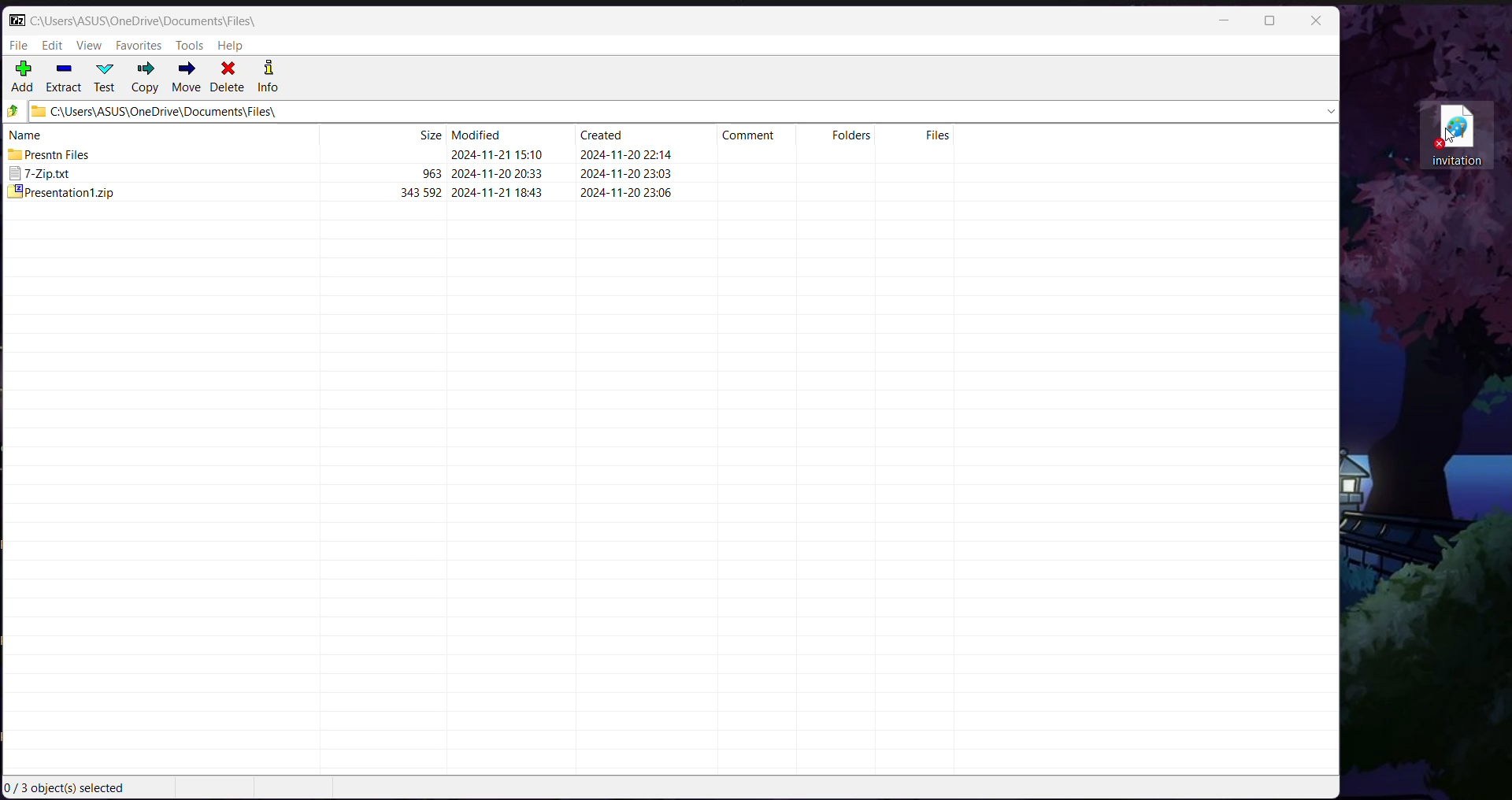 The image size is (1512, 800). Describe the element at coordinates (605, 131) in the screenshot. I see `Created` at that location.